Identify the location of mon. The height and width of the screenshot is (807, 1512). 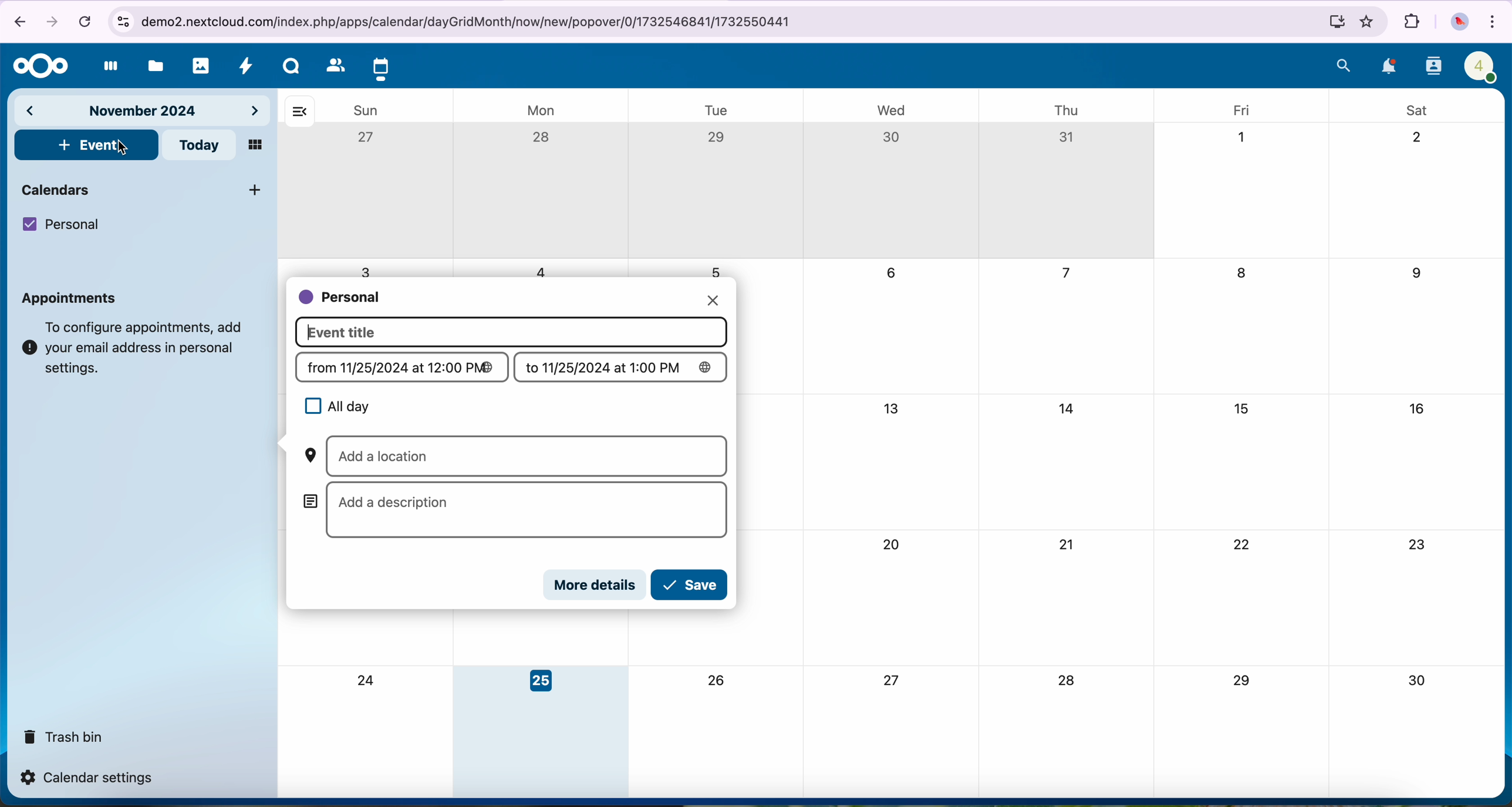
(544, 110).